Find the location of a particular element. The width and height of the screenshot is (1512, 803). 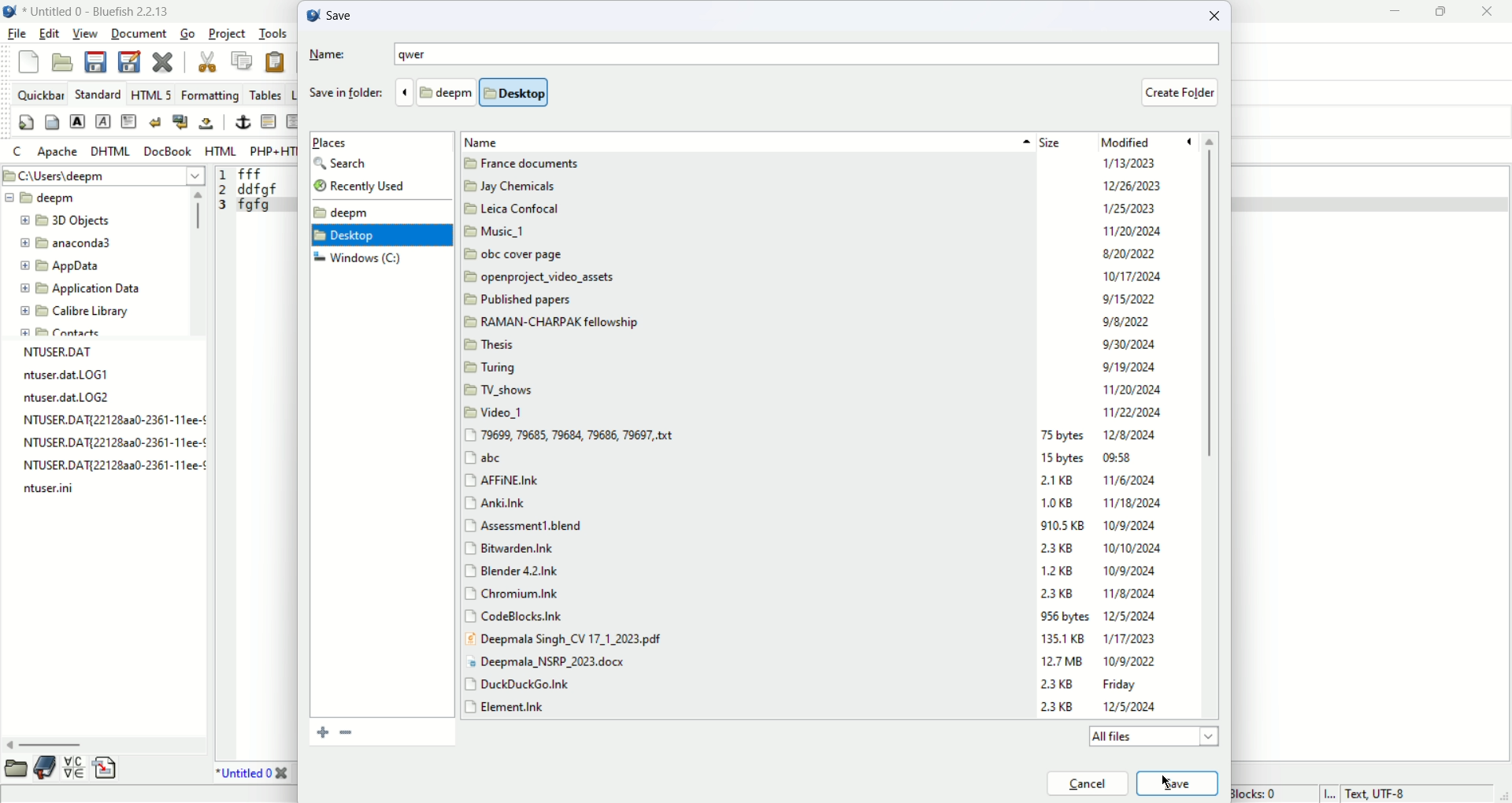

calibre is located at coordinates (76, 313).